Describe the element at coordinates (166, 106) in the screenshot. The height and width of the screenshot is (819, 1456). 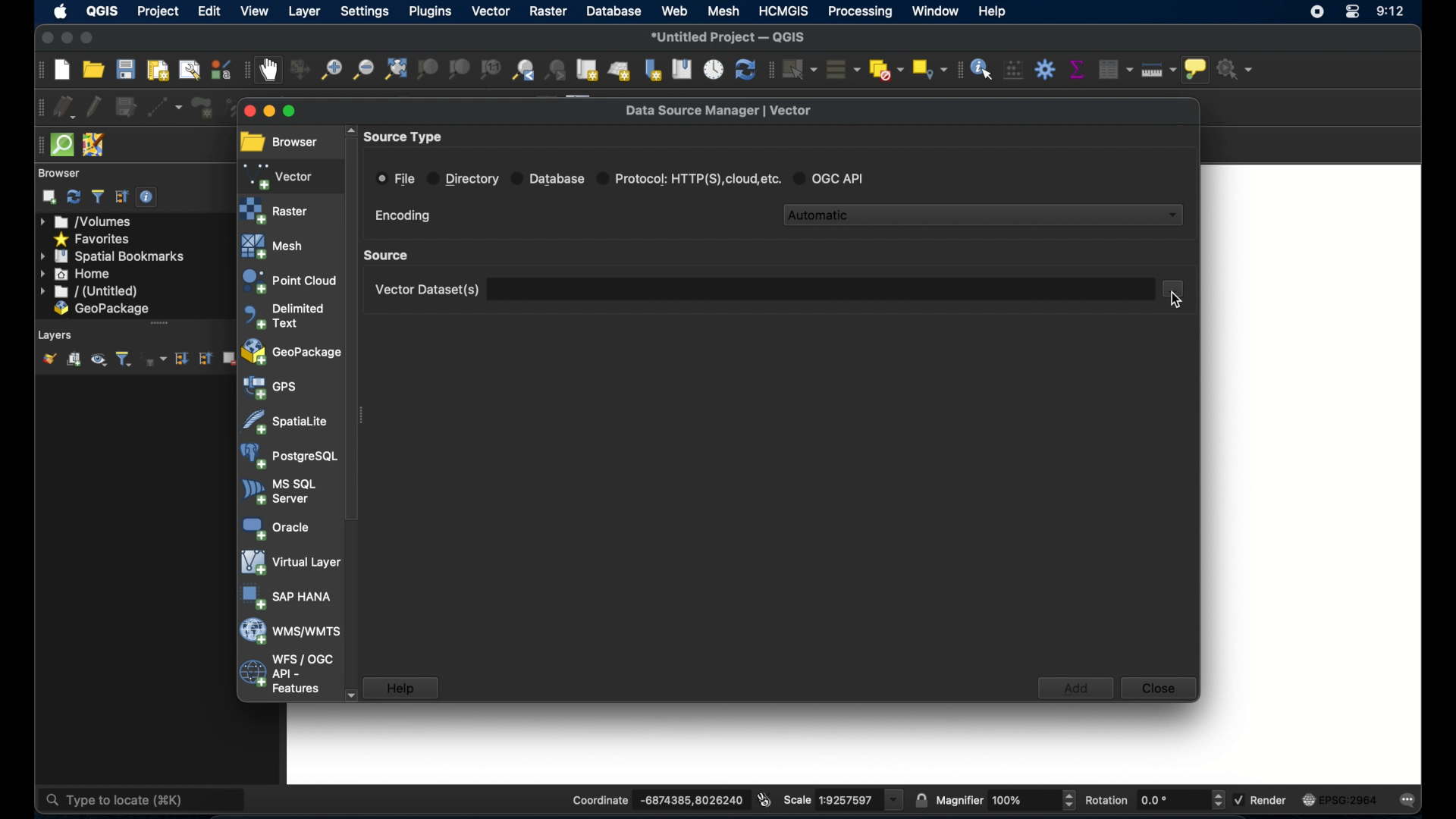
I see `digitize with segment` at that location.